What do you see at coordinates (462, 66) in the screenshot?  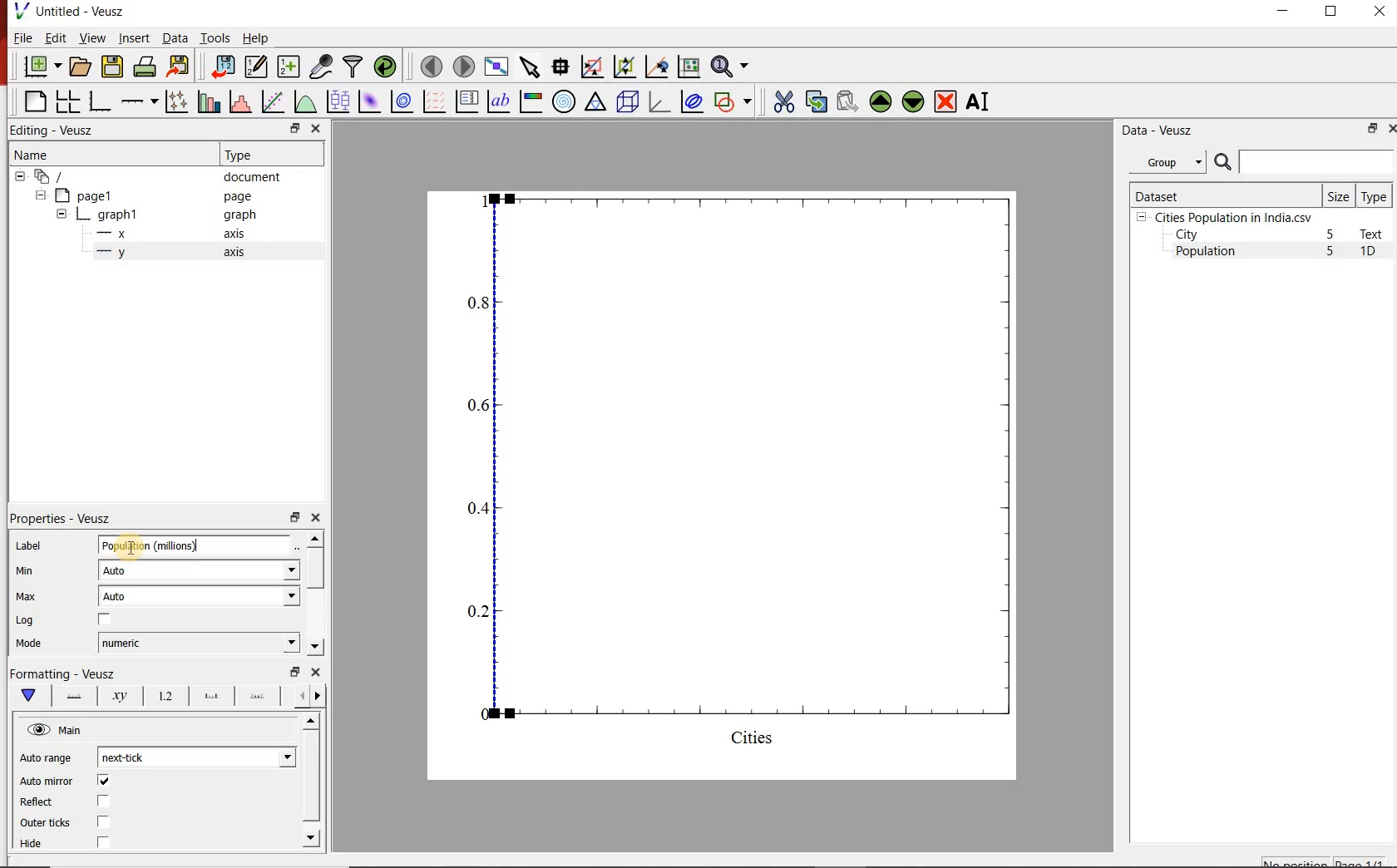 I see `move to the next page` at bounding box center [462, 66].